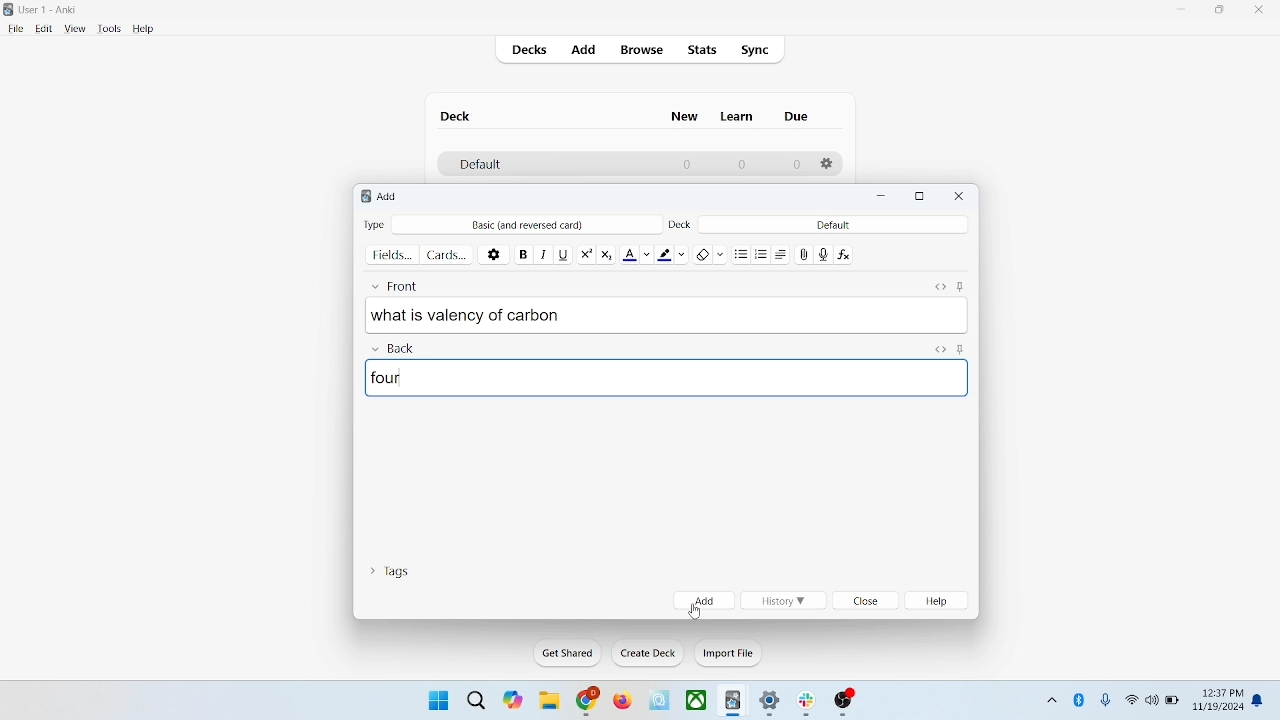  I want to click on notification, so click(1262, 699).